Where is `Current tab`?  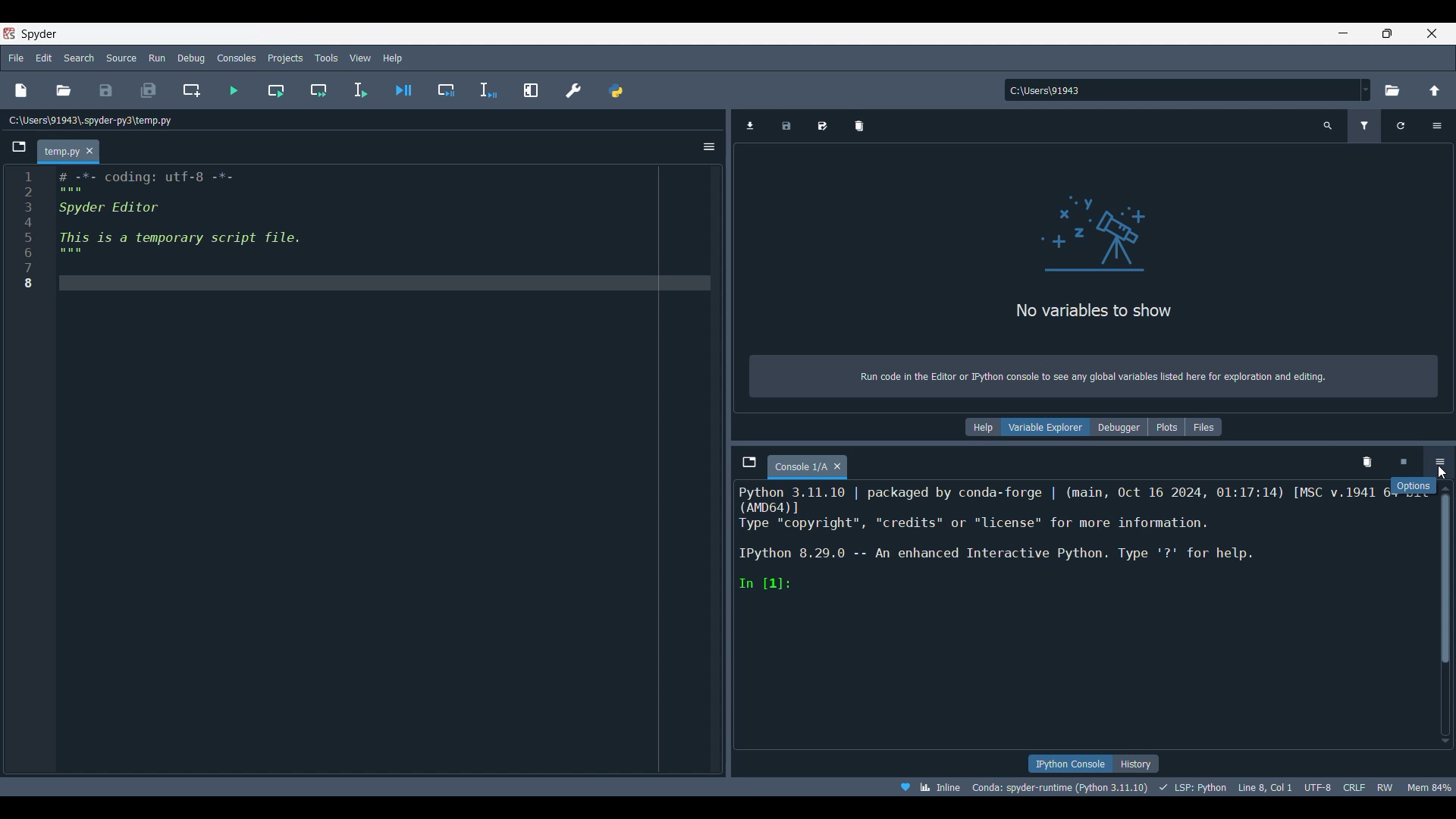
Current tab is located at coordinates (799, 467).